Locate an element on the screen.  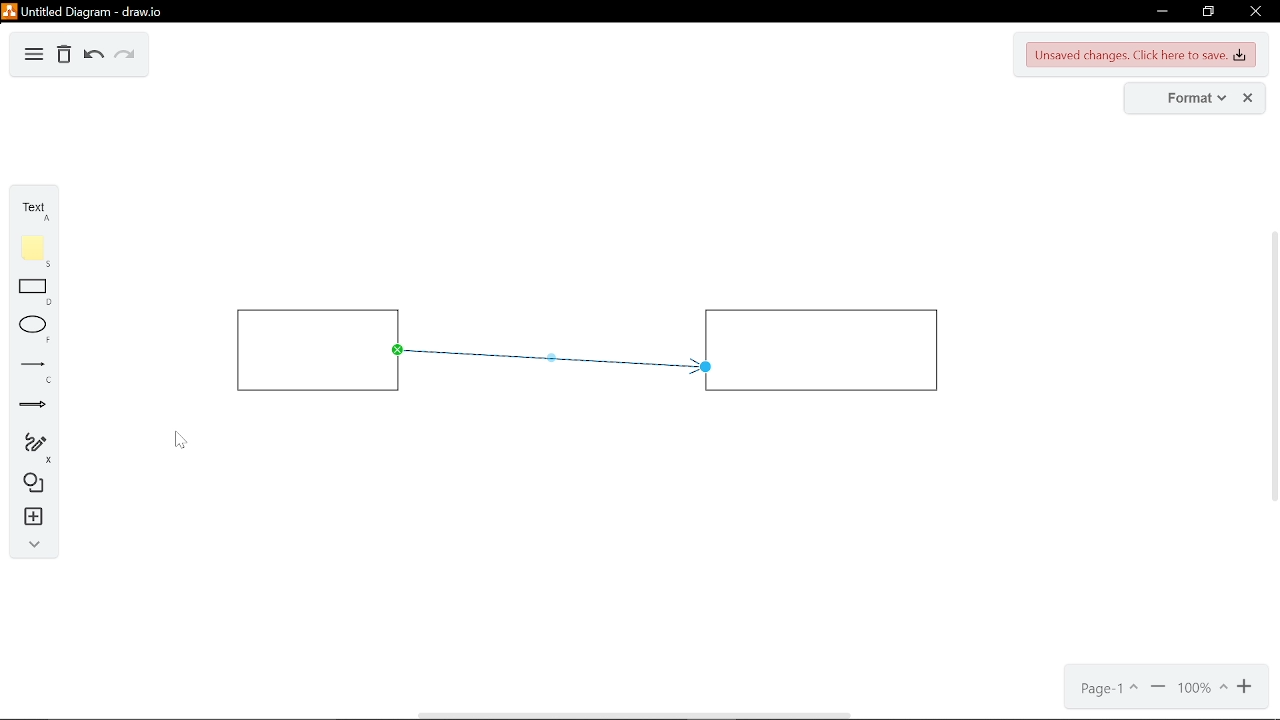
Cursor is located at coordinates (179, 440).